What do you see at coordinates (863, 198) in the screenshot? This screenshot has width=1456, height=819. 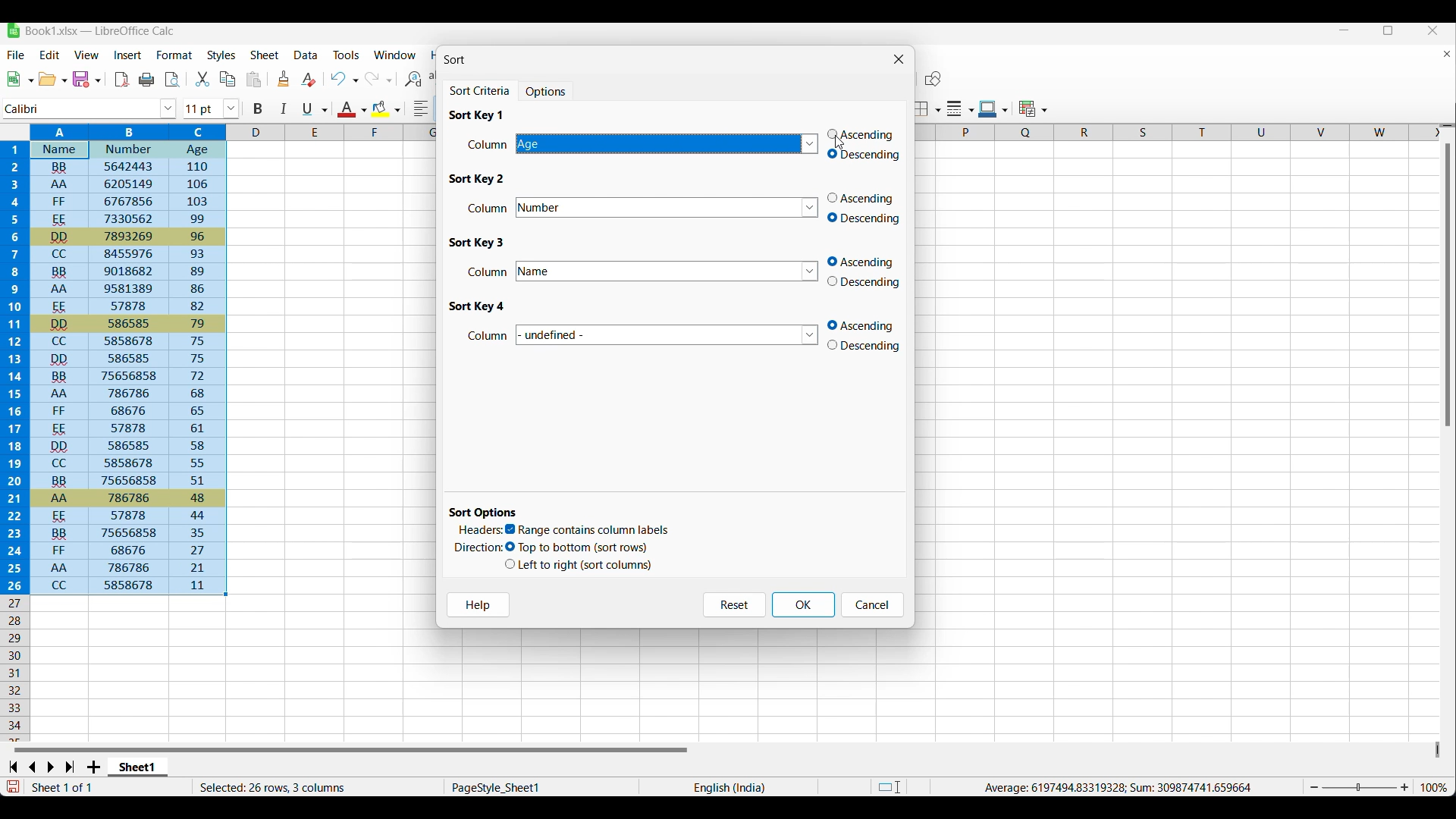 I see `ascending` at bounding box center [863, 198].